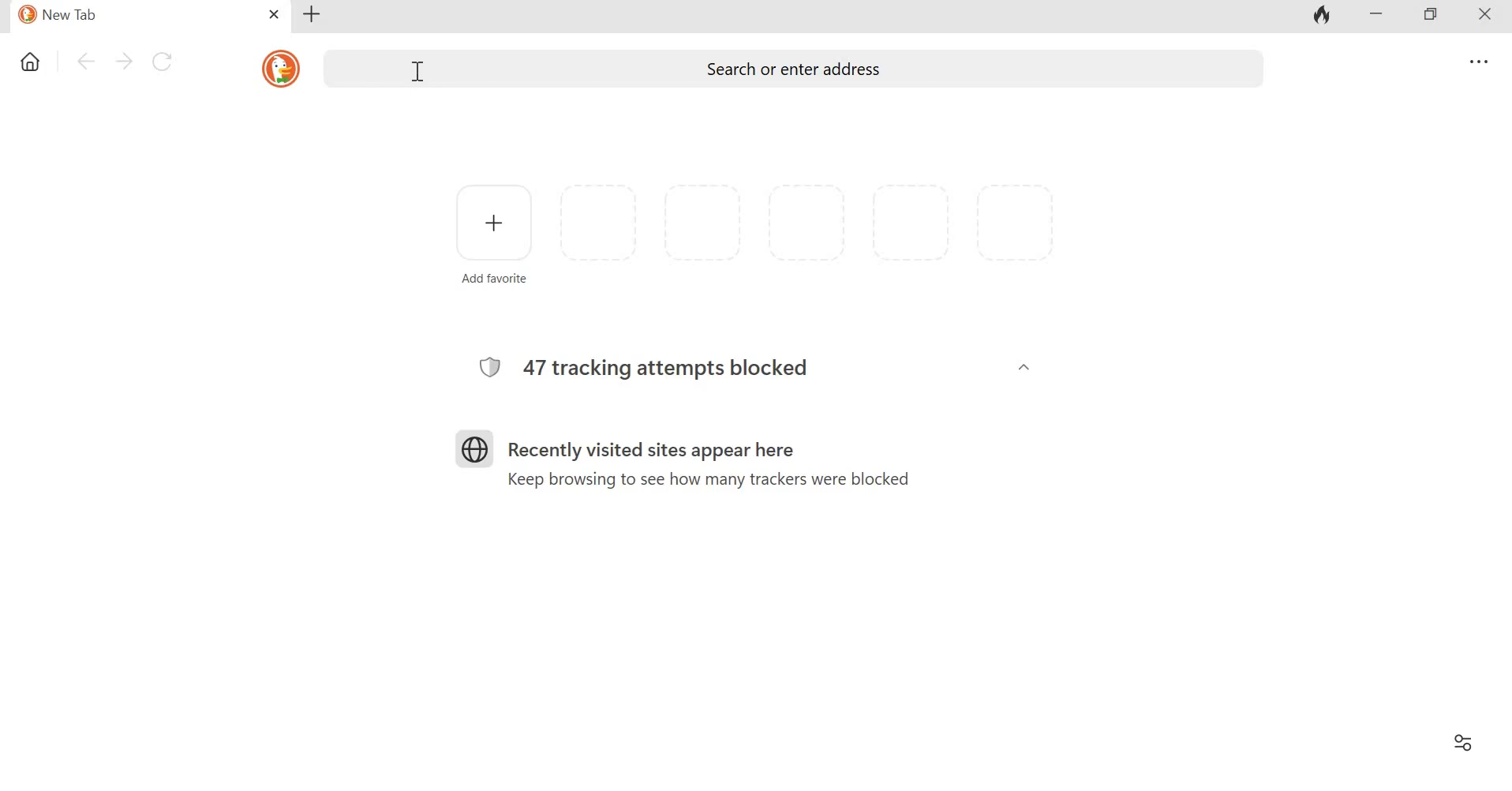  What do you see at coordinates (32, 58) in the screenshot?
I see `Home` at bounding box center [32, 58].